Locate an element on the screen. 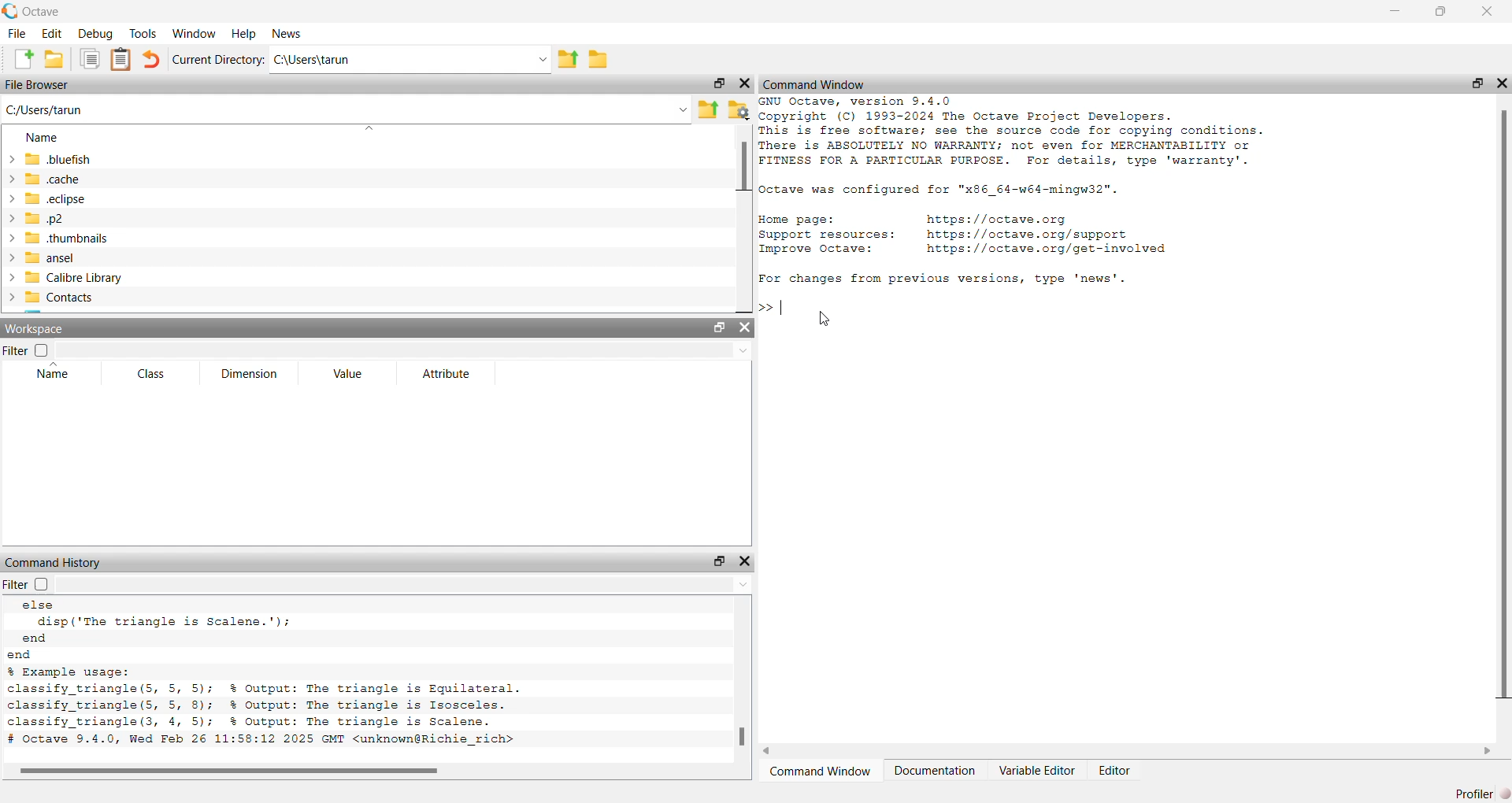 The width and height of the screenshot is (1512, 803). undo is located at coordinates (154, 59).